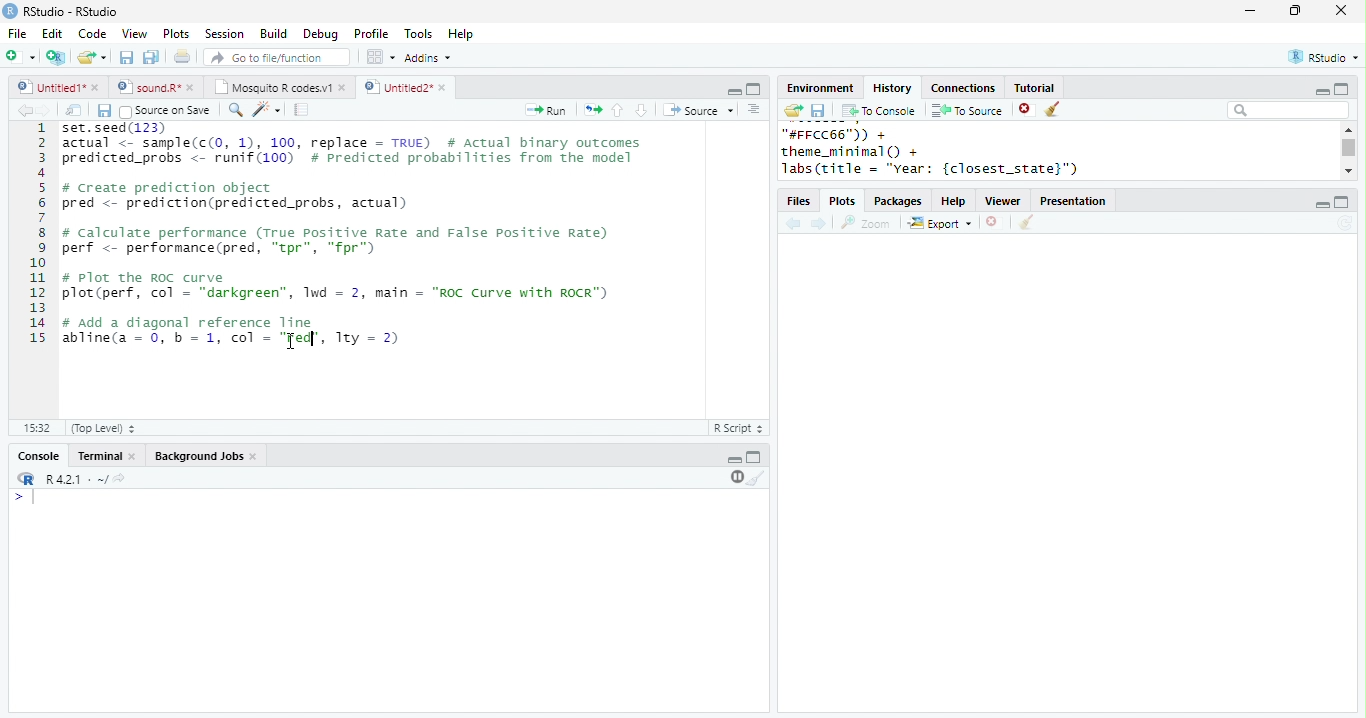 Image resolution: width=1366 pixels, height=718 pixels. What do you see at coordinates (338, 287) in the screenshot?
I see `# Plot the ROC curveplot(perf, col - "darkgreen”, 1wd = 2, main = "ROC Curve with ROCR")` at bounding box center [338, 287].